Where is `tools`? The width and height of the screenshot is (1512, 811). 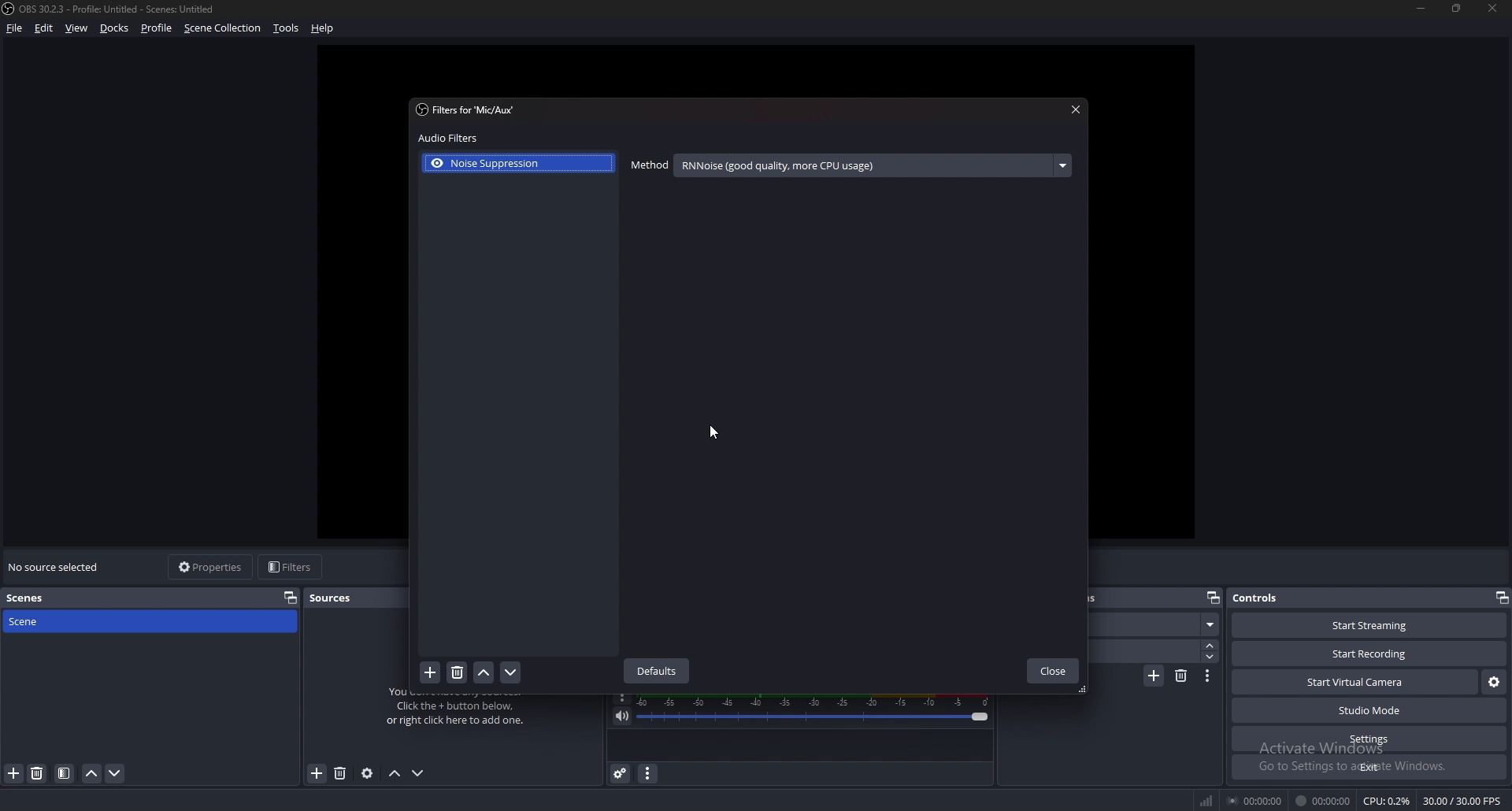 tools is located at coordinates (285, 28).